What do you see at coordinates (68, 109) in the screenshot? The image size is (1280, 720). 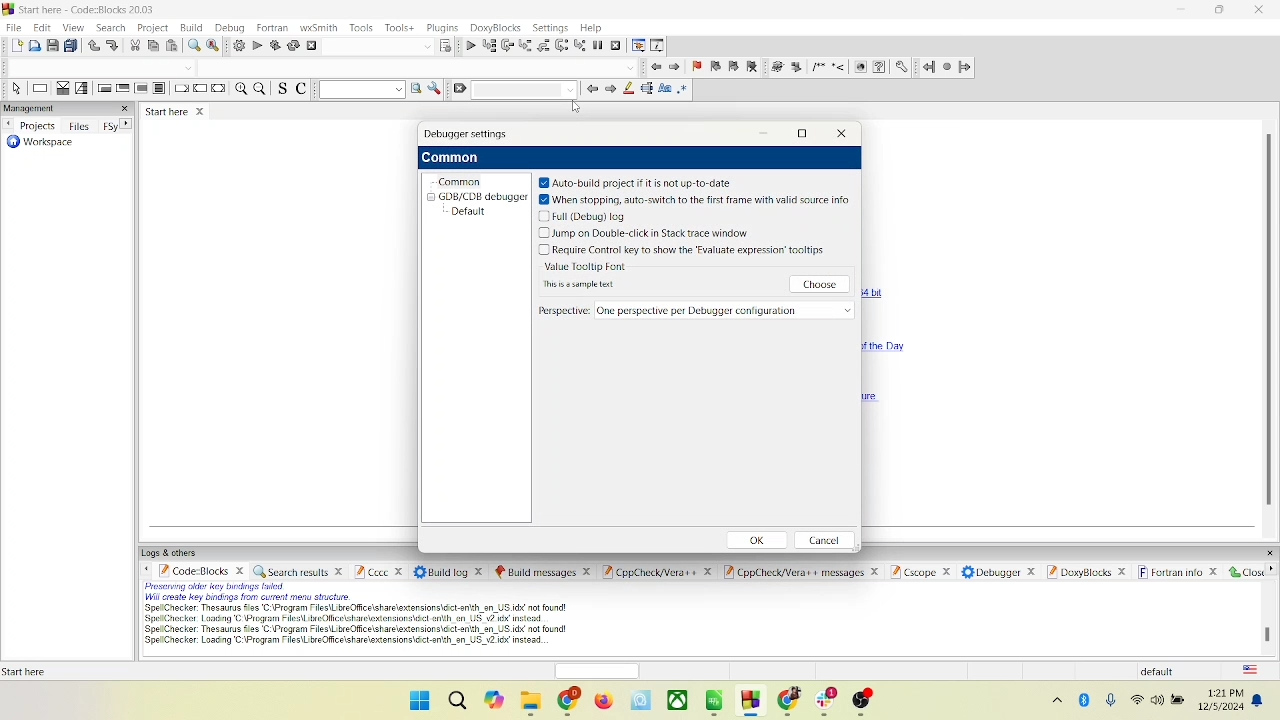 I see `management` at bounding box center [68, 109].